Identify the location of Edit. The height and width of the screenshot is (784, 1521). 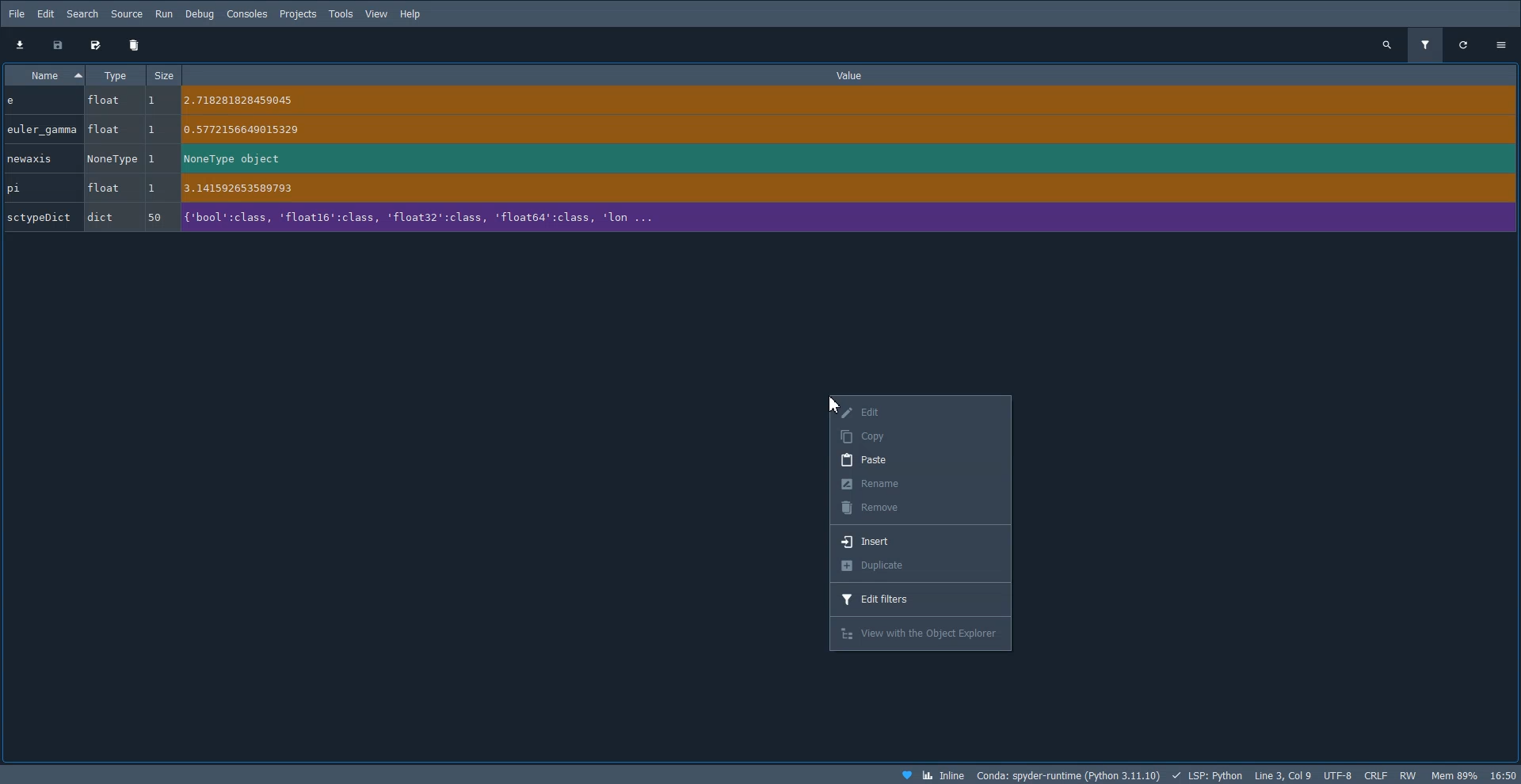
(47, 13).